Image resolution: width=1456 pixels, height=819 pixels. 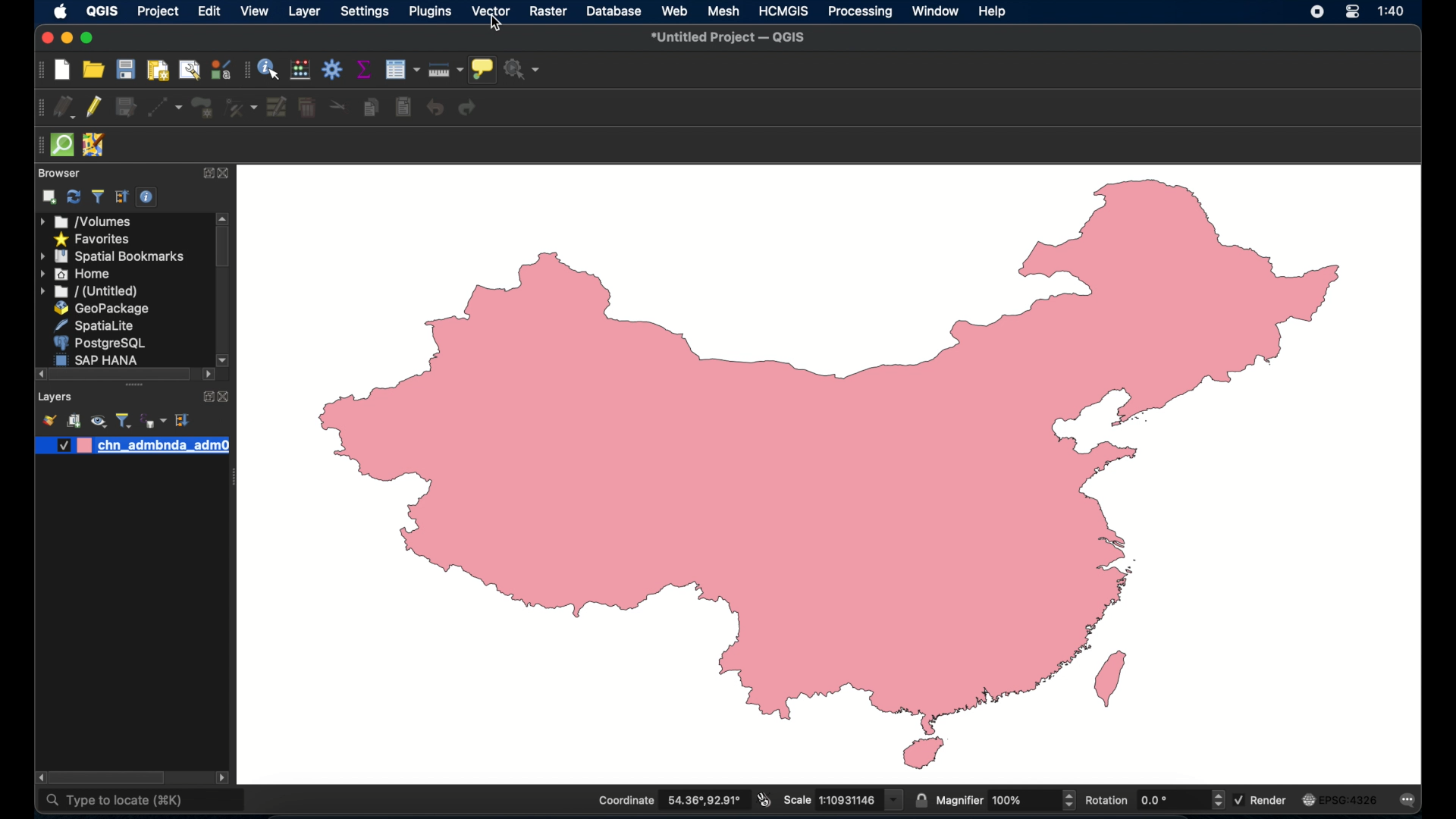 What do you see at coordinates (37, 777) in the screenshot?
I see `scroll right arrow` at bounding box center [37, 777].